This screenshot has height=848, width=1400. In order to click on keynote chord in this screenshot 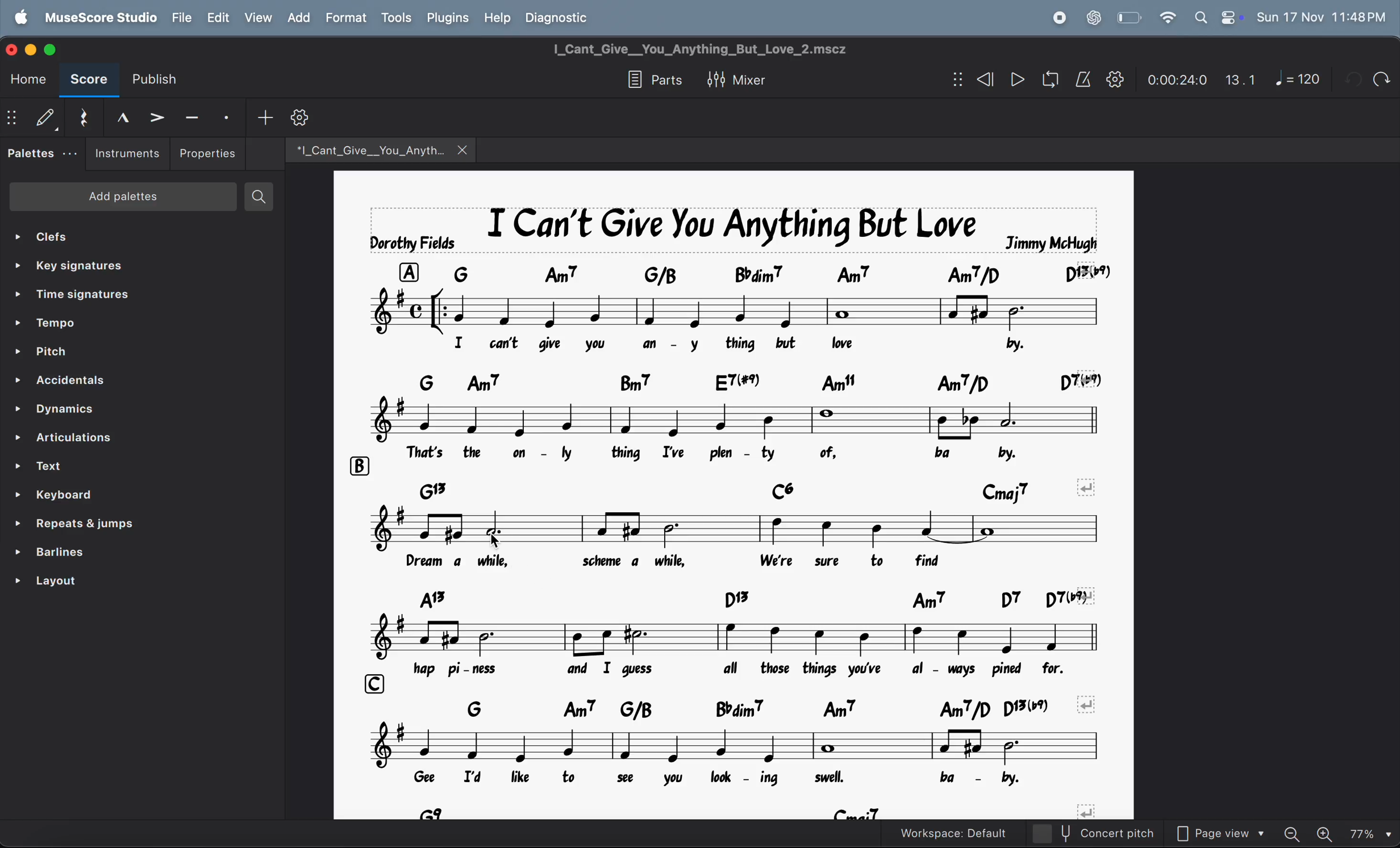, I will do `click(755, 382)`.